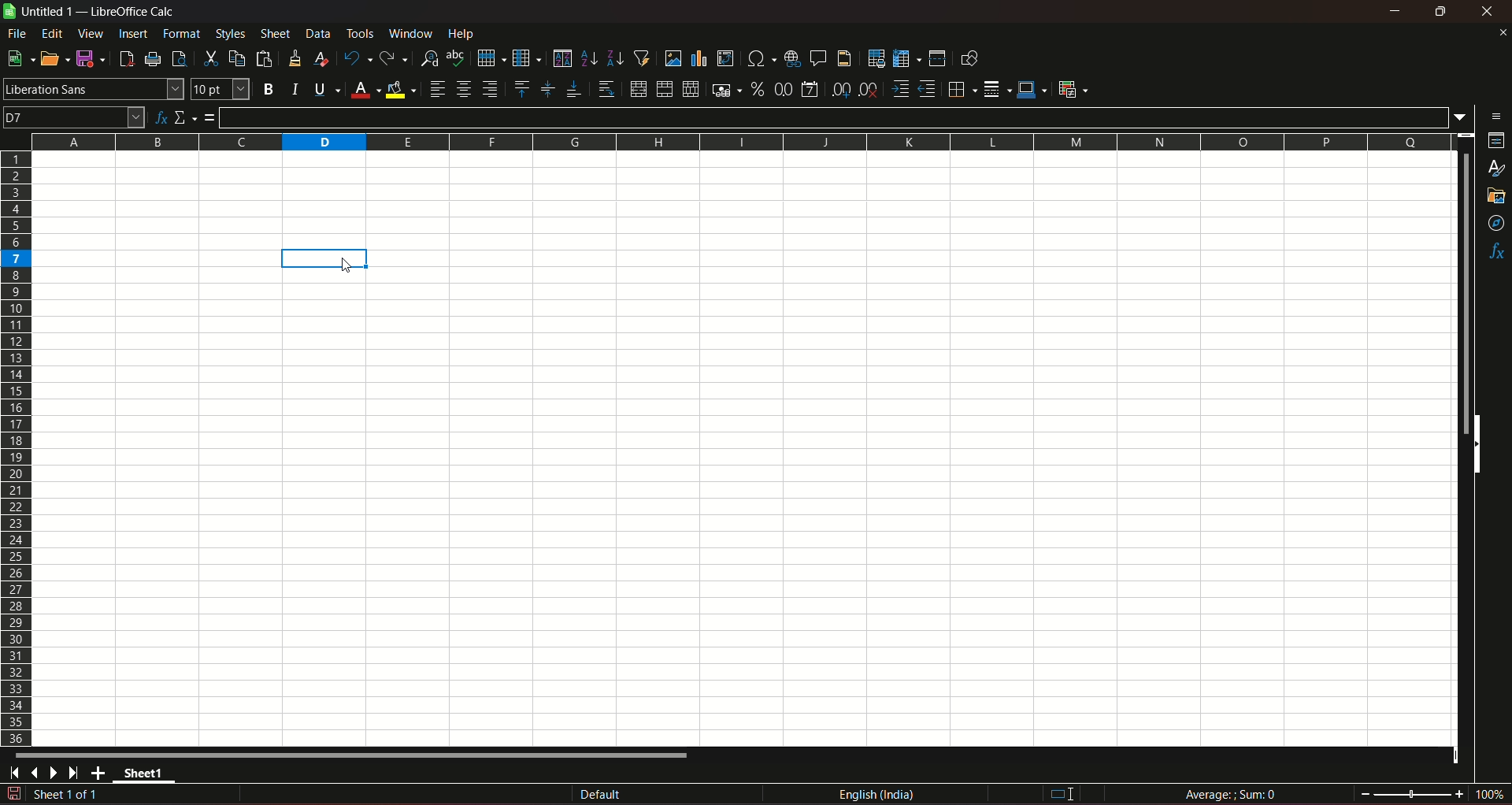 The height and width of the screenshot is (805, 1512). What do you see at coordinates (18, 33) in the screenshot?
I see `file` at bounding box center [18, 33].